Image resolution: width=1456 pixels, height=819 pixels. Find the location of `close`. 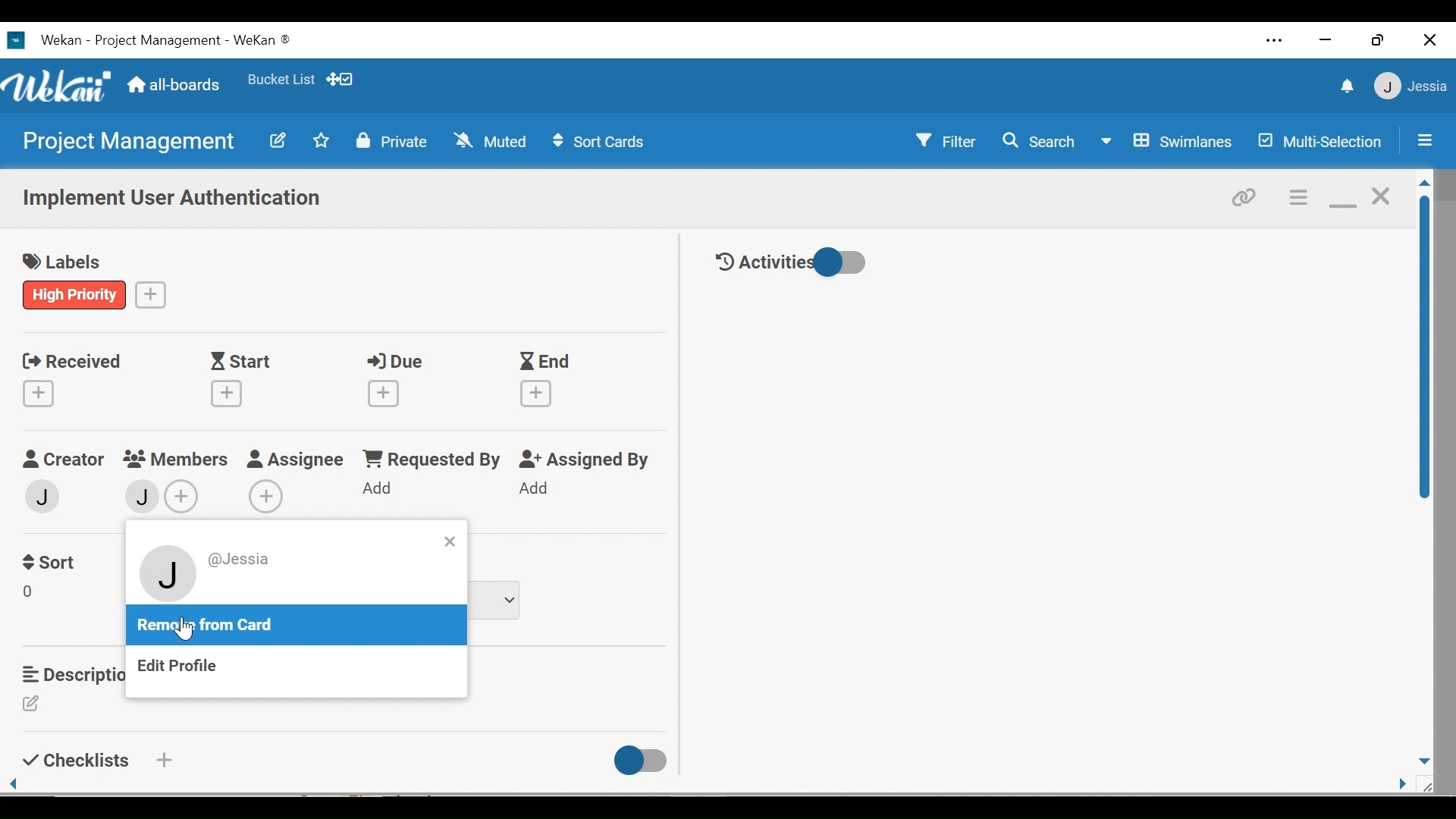

close is located at coordinates (1379, 196).